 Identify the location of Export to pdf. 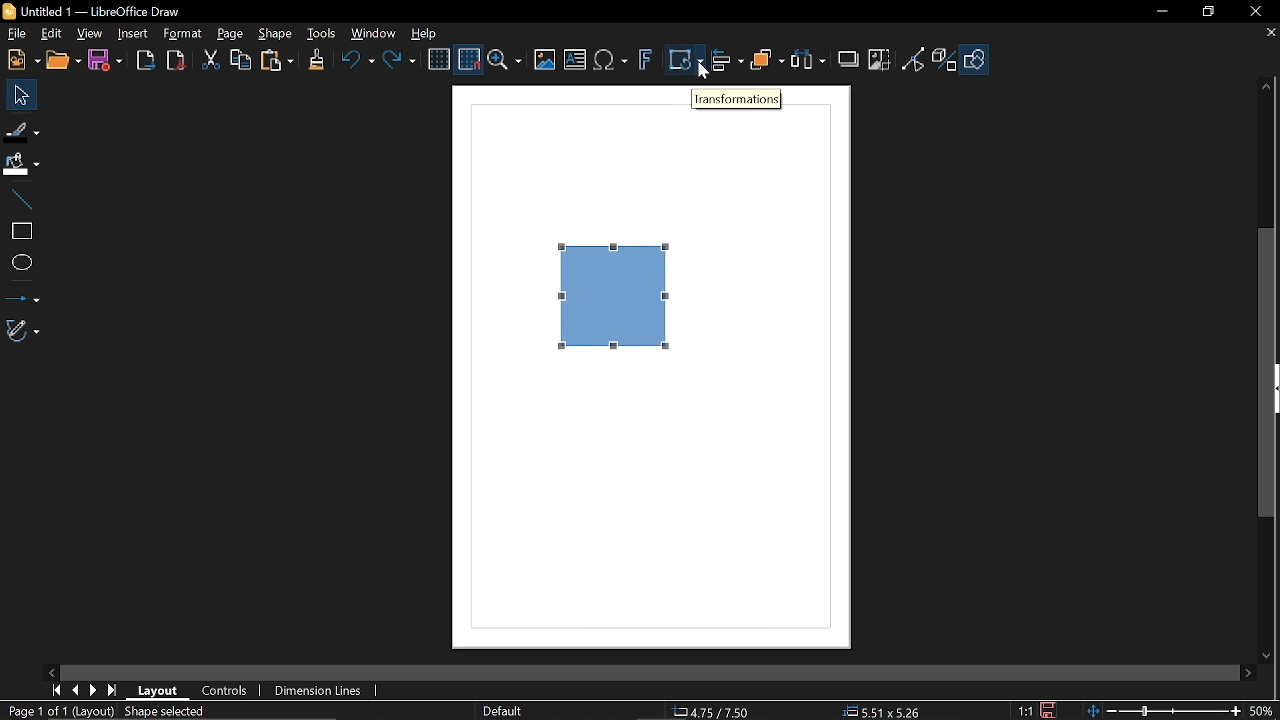
(174, 60).